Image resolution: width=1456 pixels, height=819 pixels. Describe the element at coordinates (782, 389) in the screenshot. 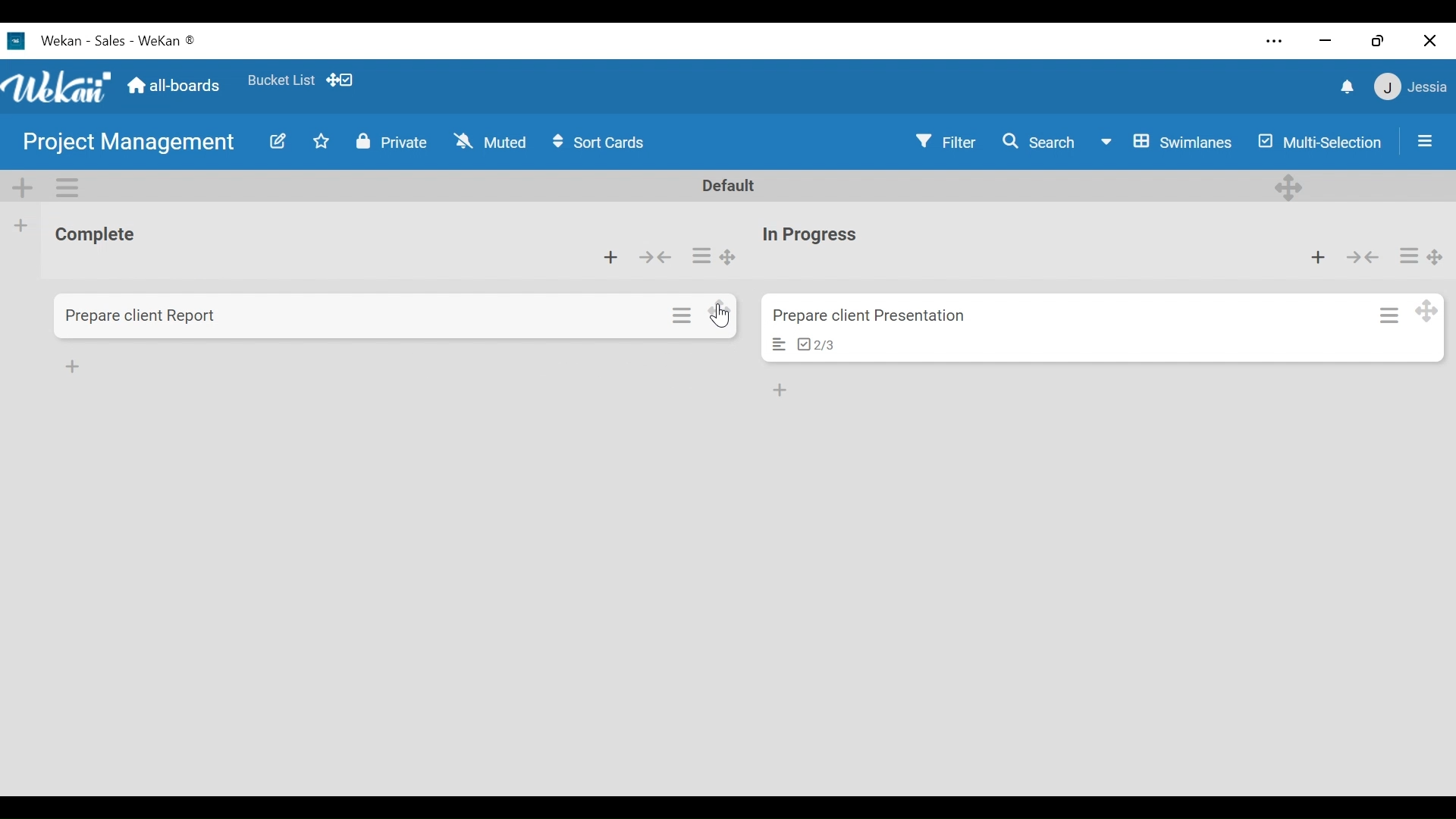

I see `add list` at that location.